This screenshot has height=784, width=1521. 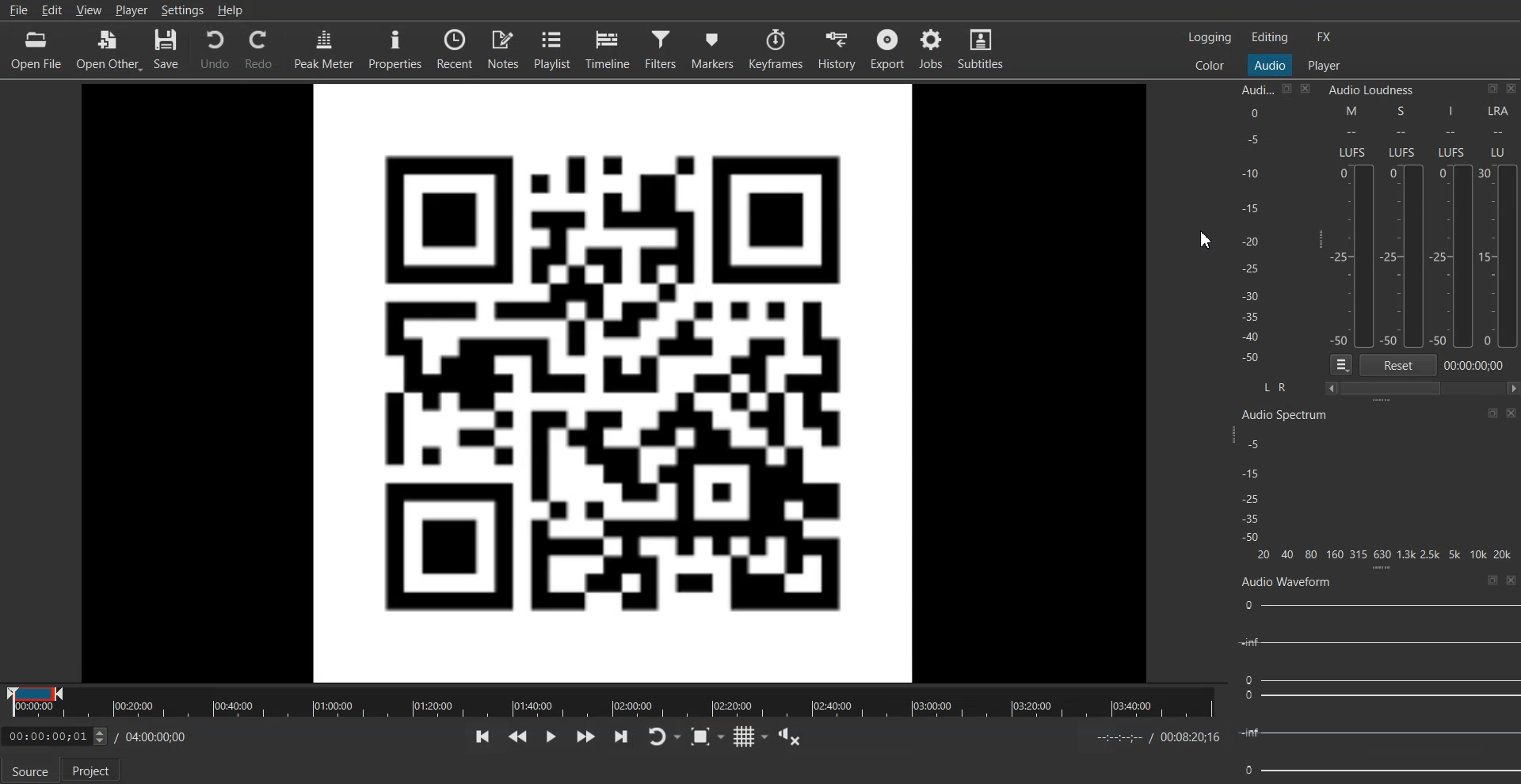 What do you see at coordinates (1382, 402) in the screenshot?
I see `Window Adjuster` at bounding box center [1382, 402].